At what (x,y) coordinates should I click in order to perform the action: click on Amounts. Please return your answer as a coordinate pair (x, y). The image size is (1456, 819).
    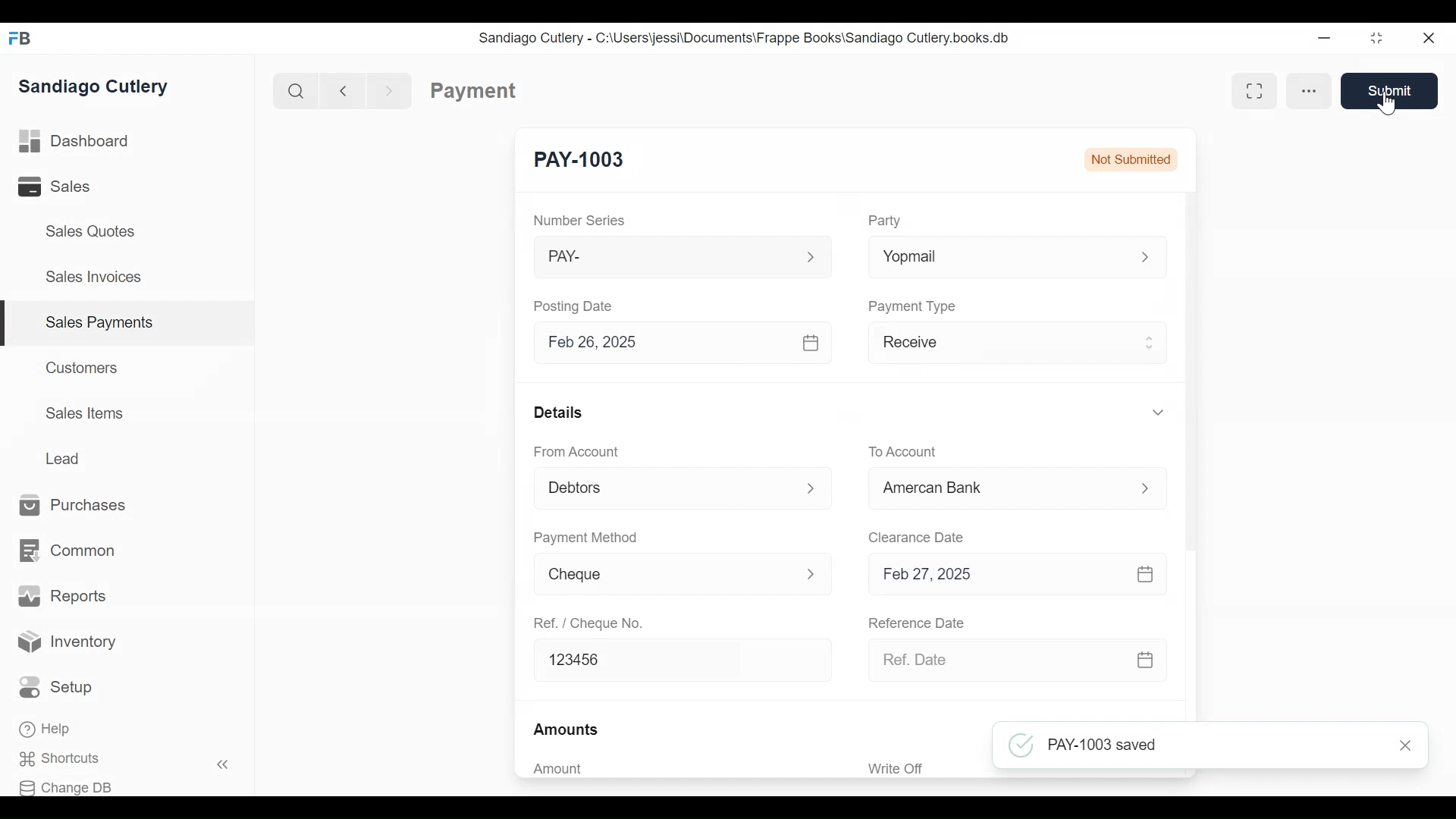
    Looking at the image, I should click on (567, 729).